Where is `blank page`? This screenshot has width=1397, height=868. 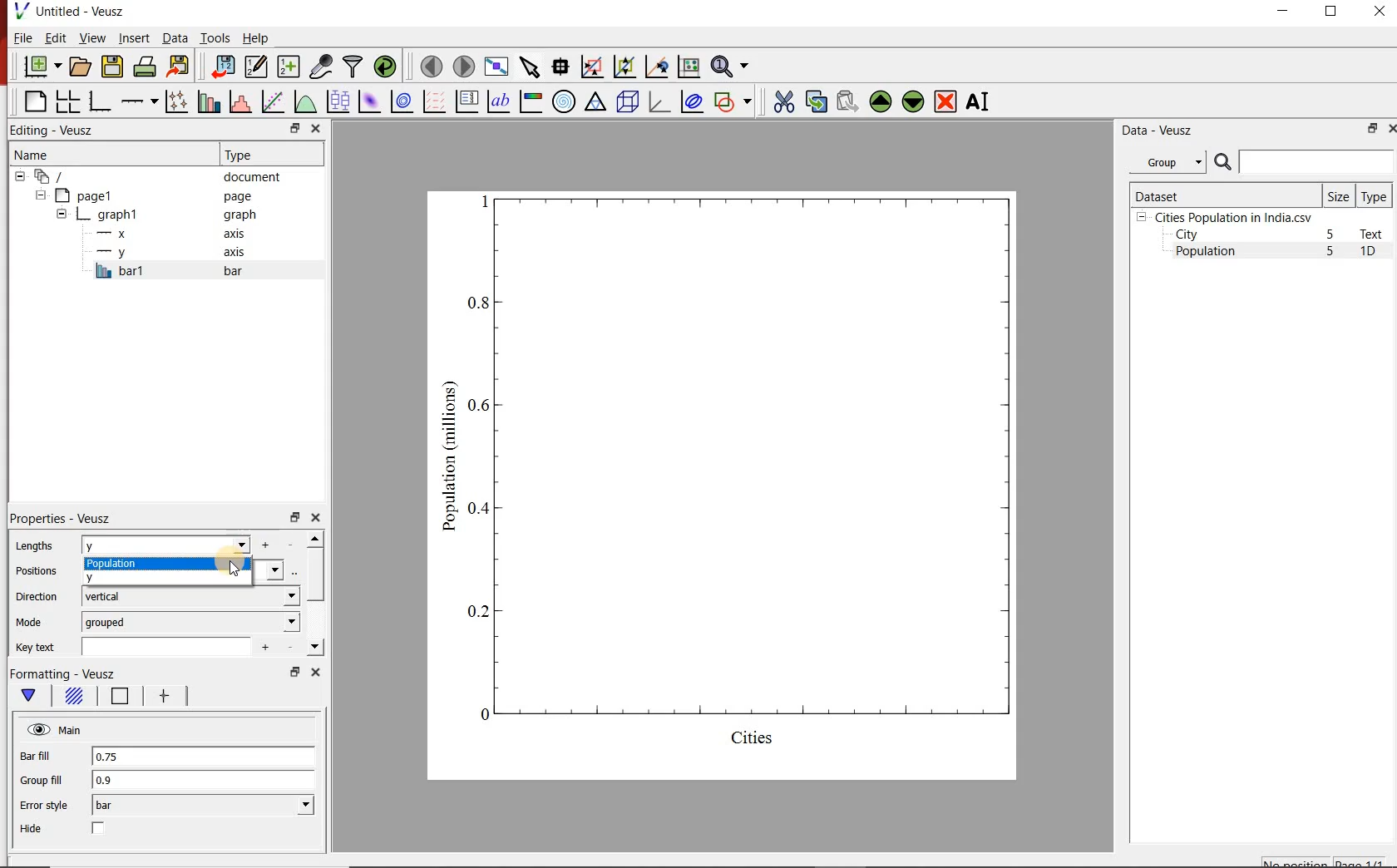 blank page is located at coordinates (33, 102).